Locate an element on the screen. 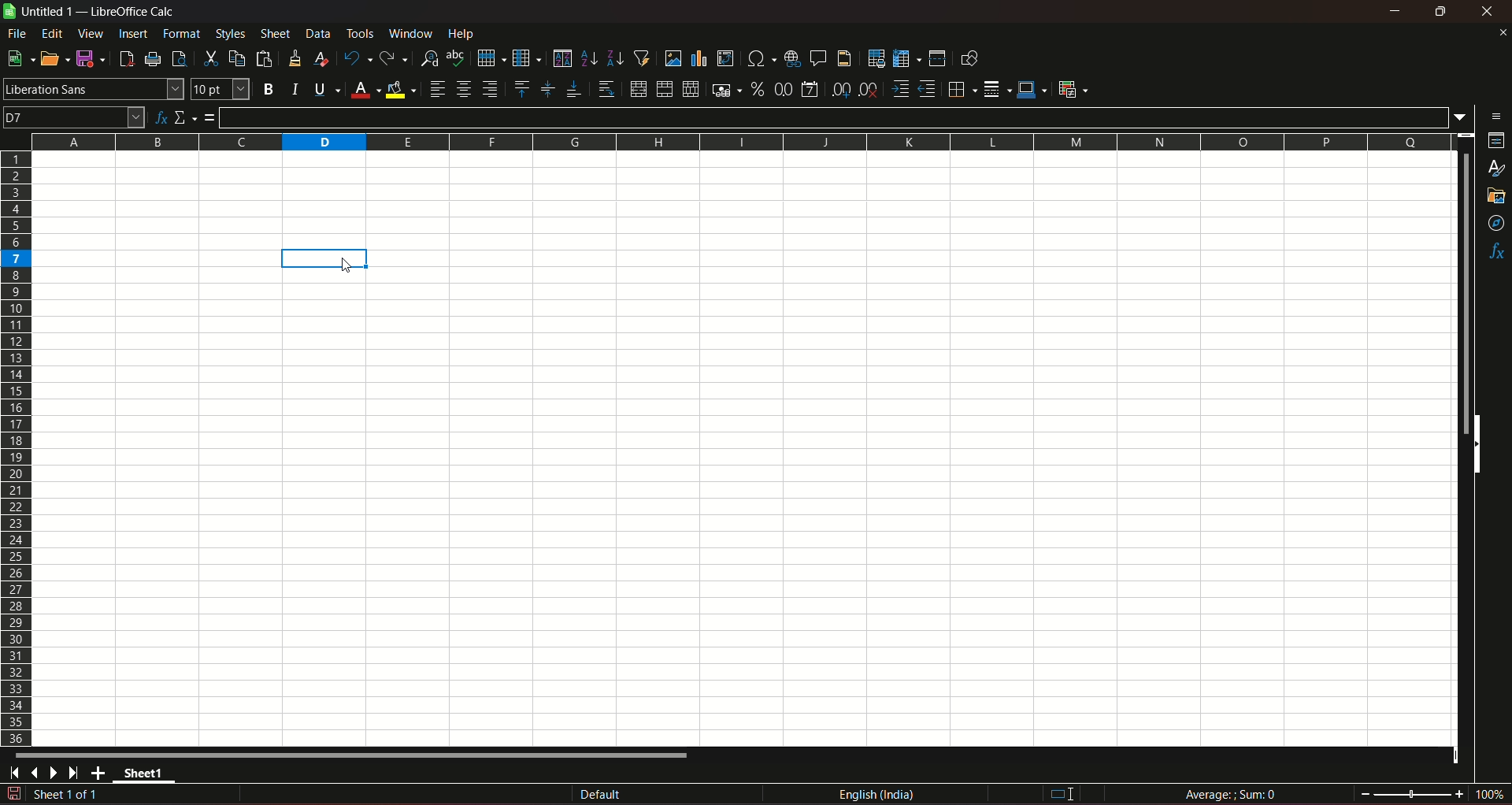  cursor is located at coordinates (347, 267).